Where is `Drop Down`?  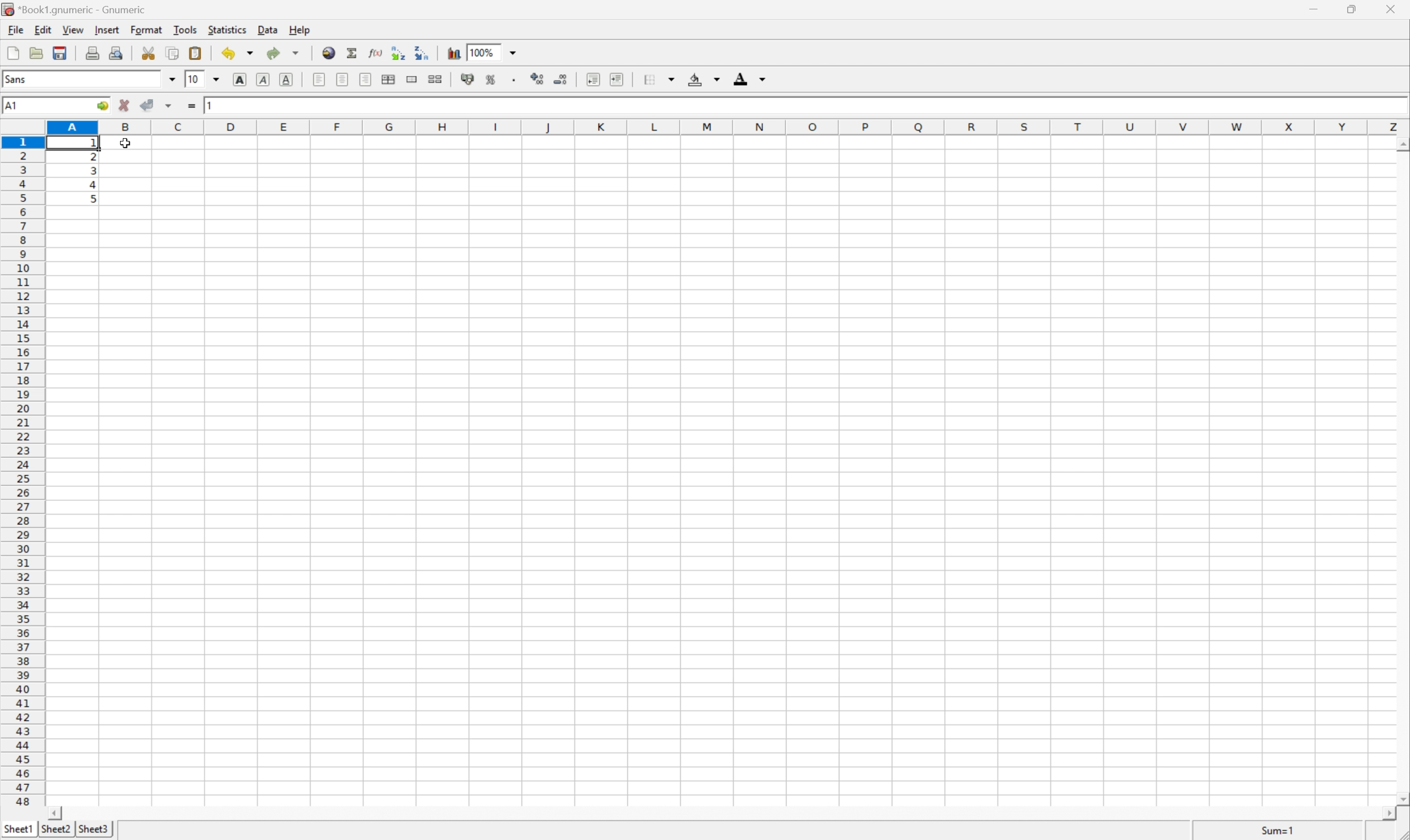
Drop Down is located at coordinates (216, 79).